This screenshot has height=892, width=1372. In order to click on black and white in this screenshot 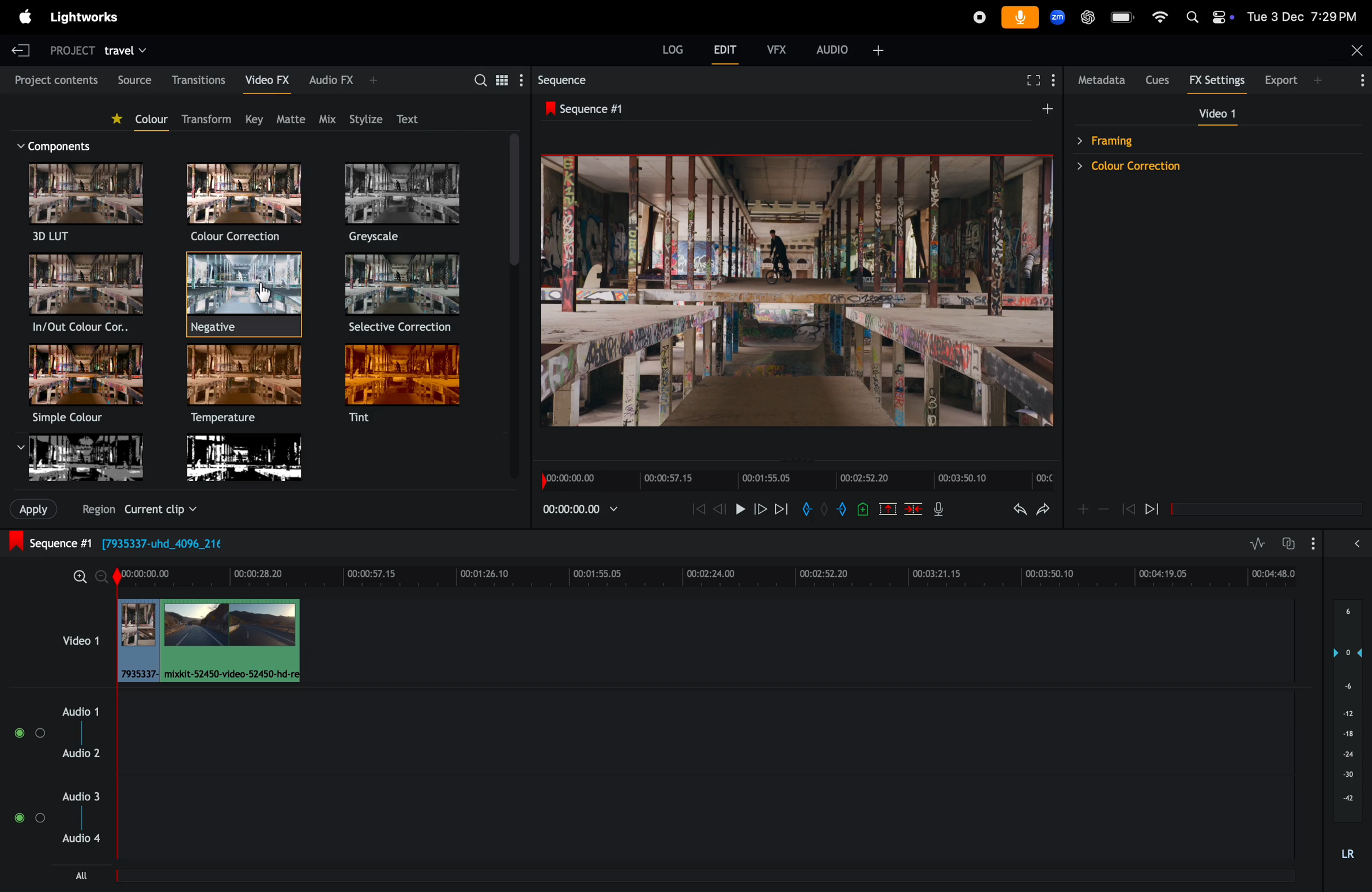, I will do `click(86, 463)`.